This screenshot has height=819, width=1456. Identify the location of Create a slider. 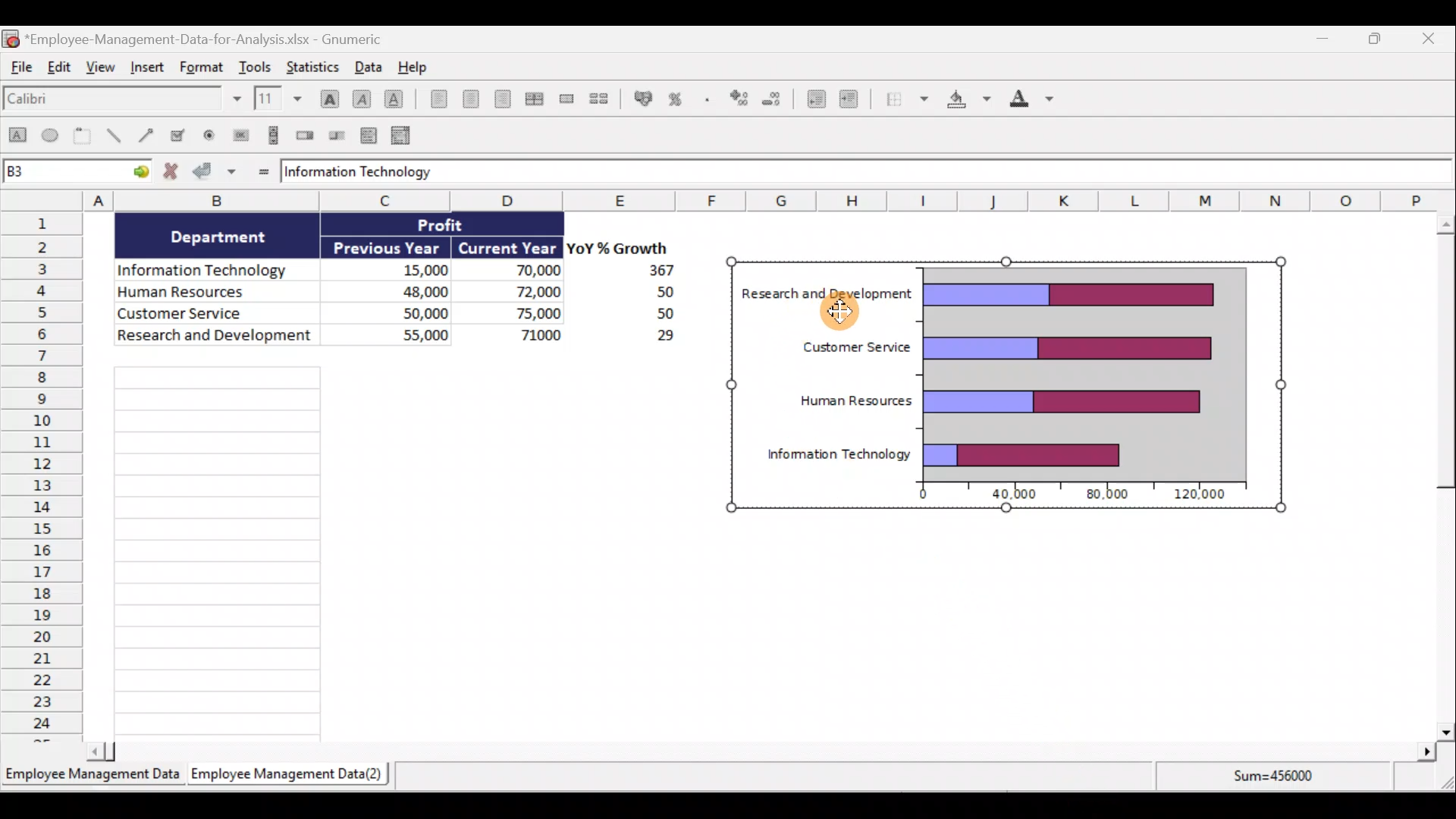
(334, 136).